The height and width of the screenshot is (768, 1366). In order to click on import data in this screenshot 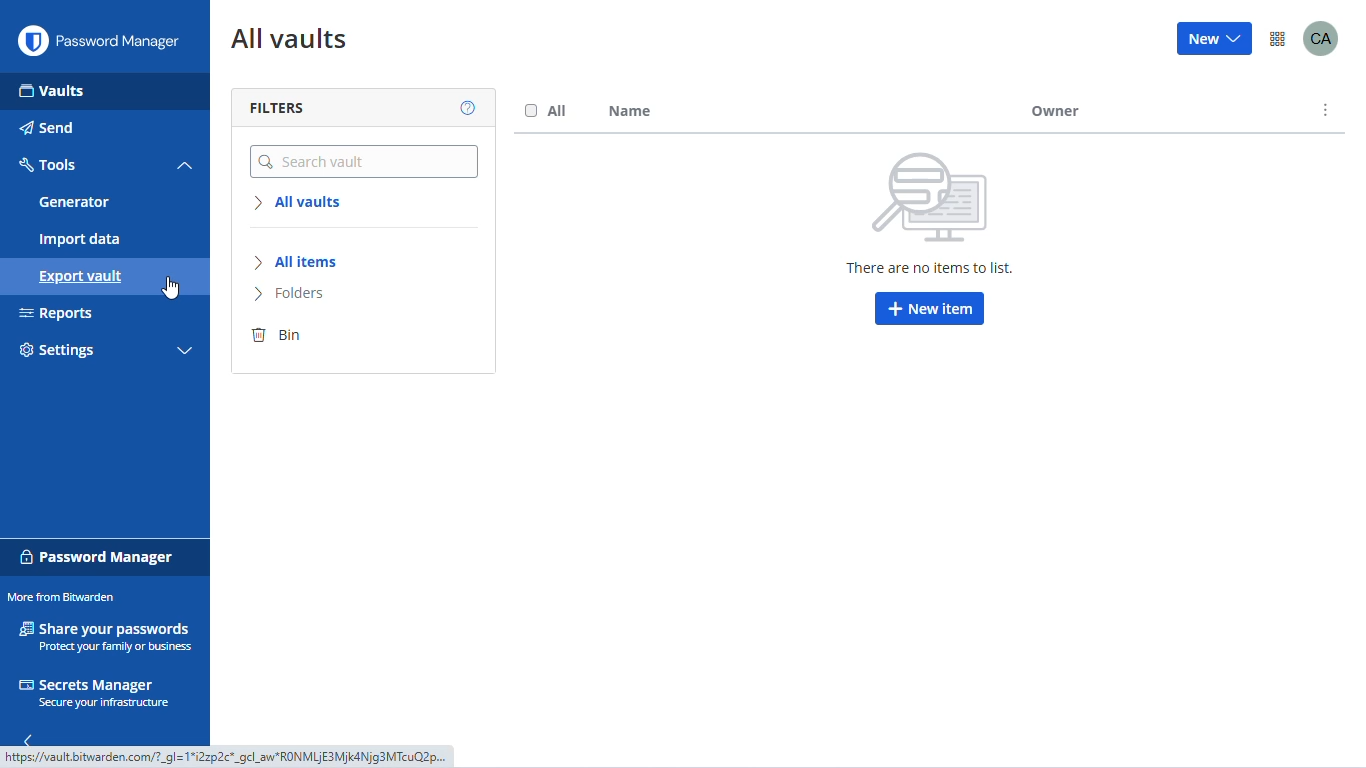, I will do `click(80, 240)`.